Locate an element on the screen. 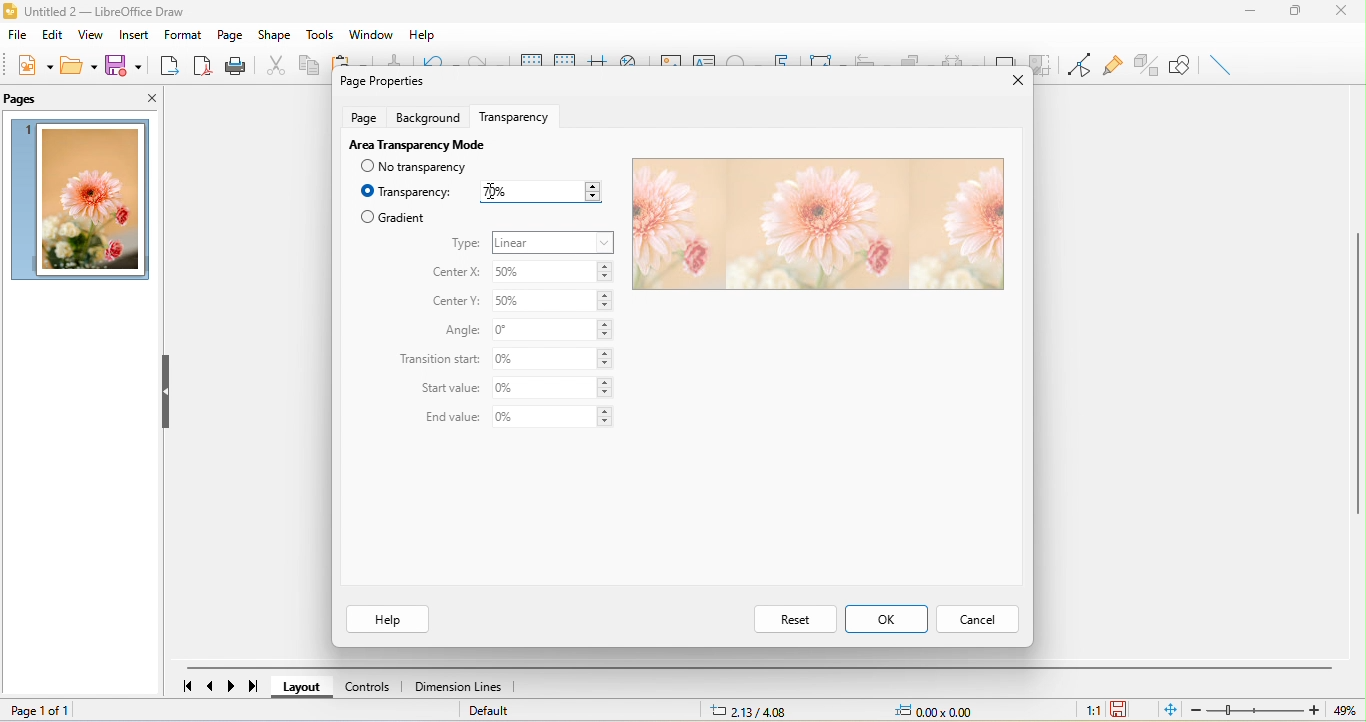  no transparency is located at coordinates (425, 167).